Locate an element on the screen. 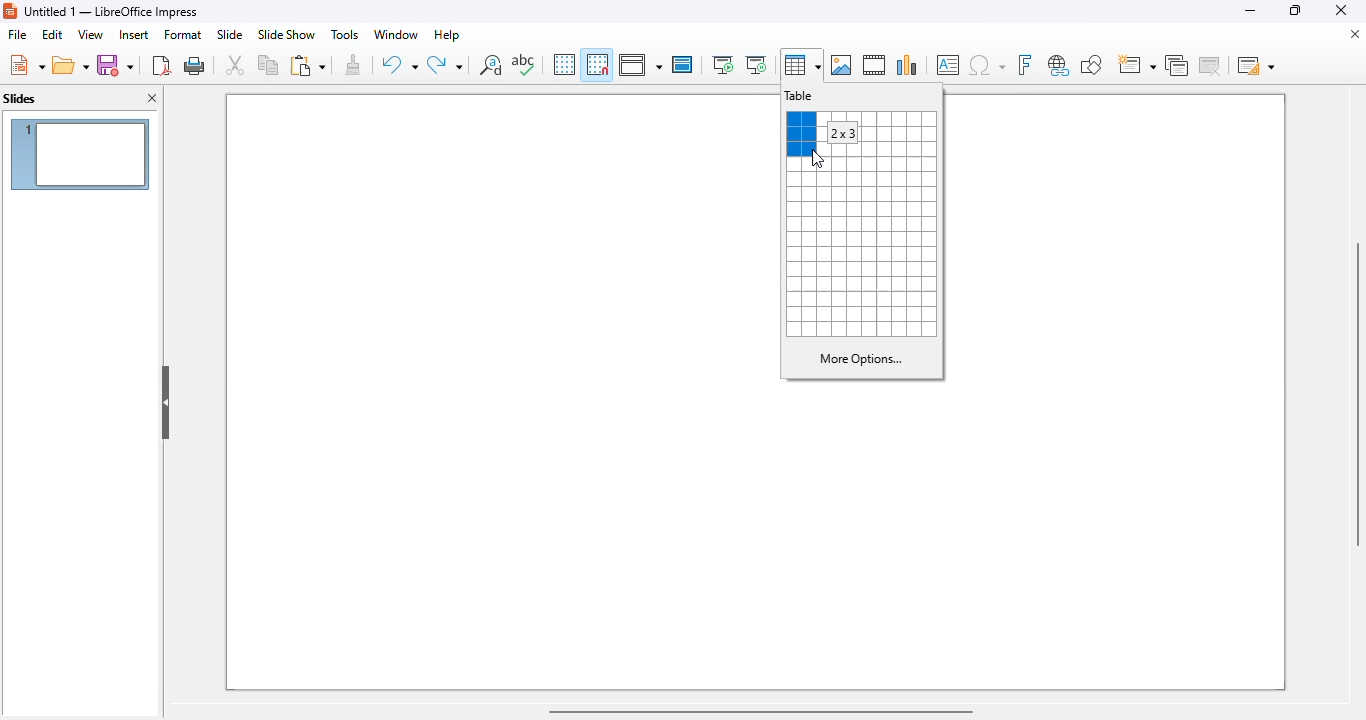 This screenshot has height=720, width=1366. help is located at coordinates (448, 35).